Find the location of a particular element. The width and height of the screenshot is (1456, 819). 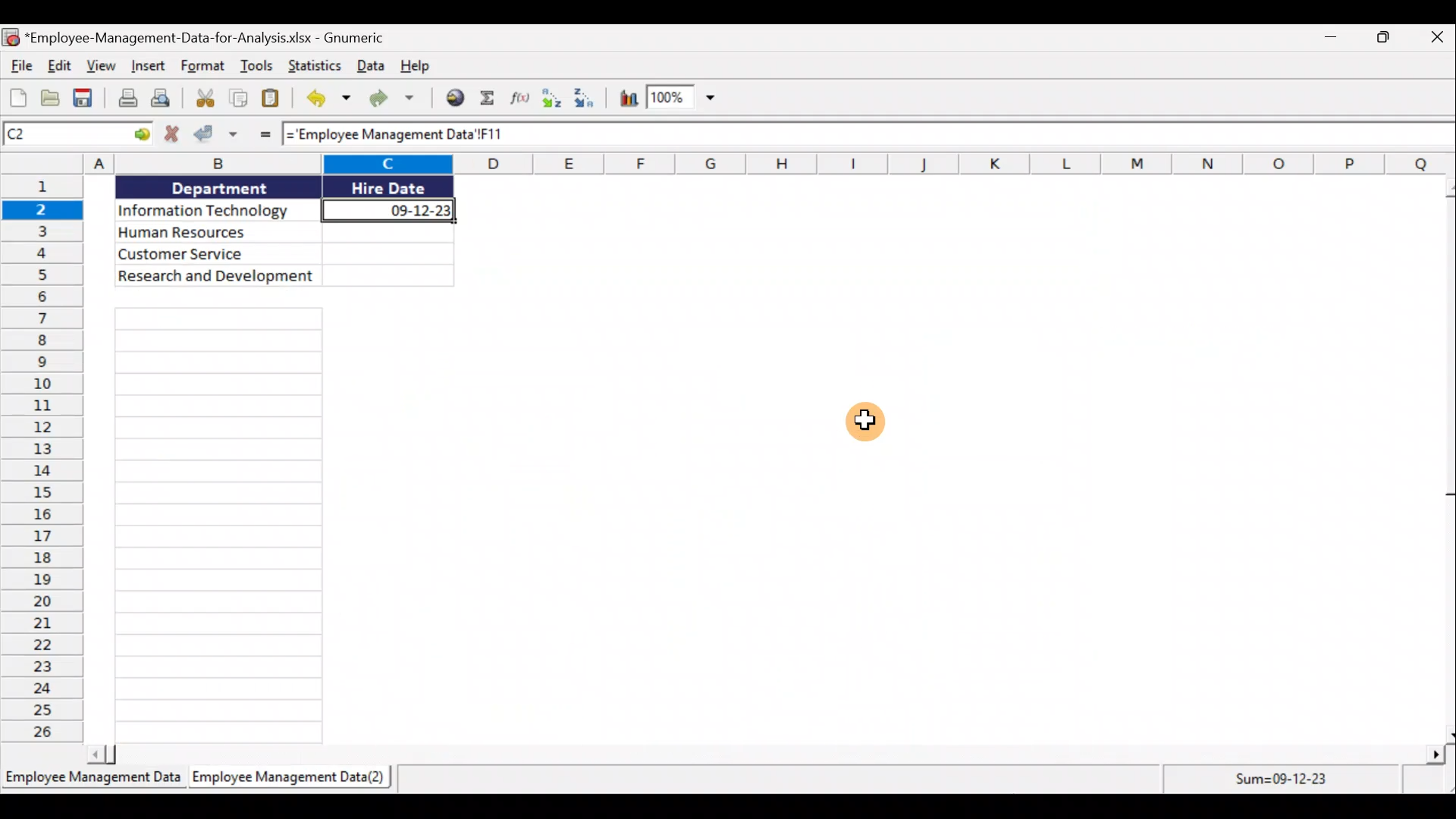

Sum into the current cell is located at coordinates (492, 98).